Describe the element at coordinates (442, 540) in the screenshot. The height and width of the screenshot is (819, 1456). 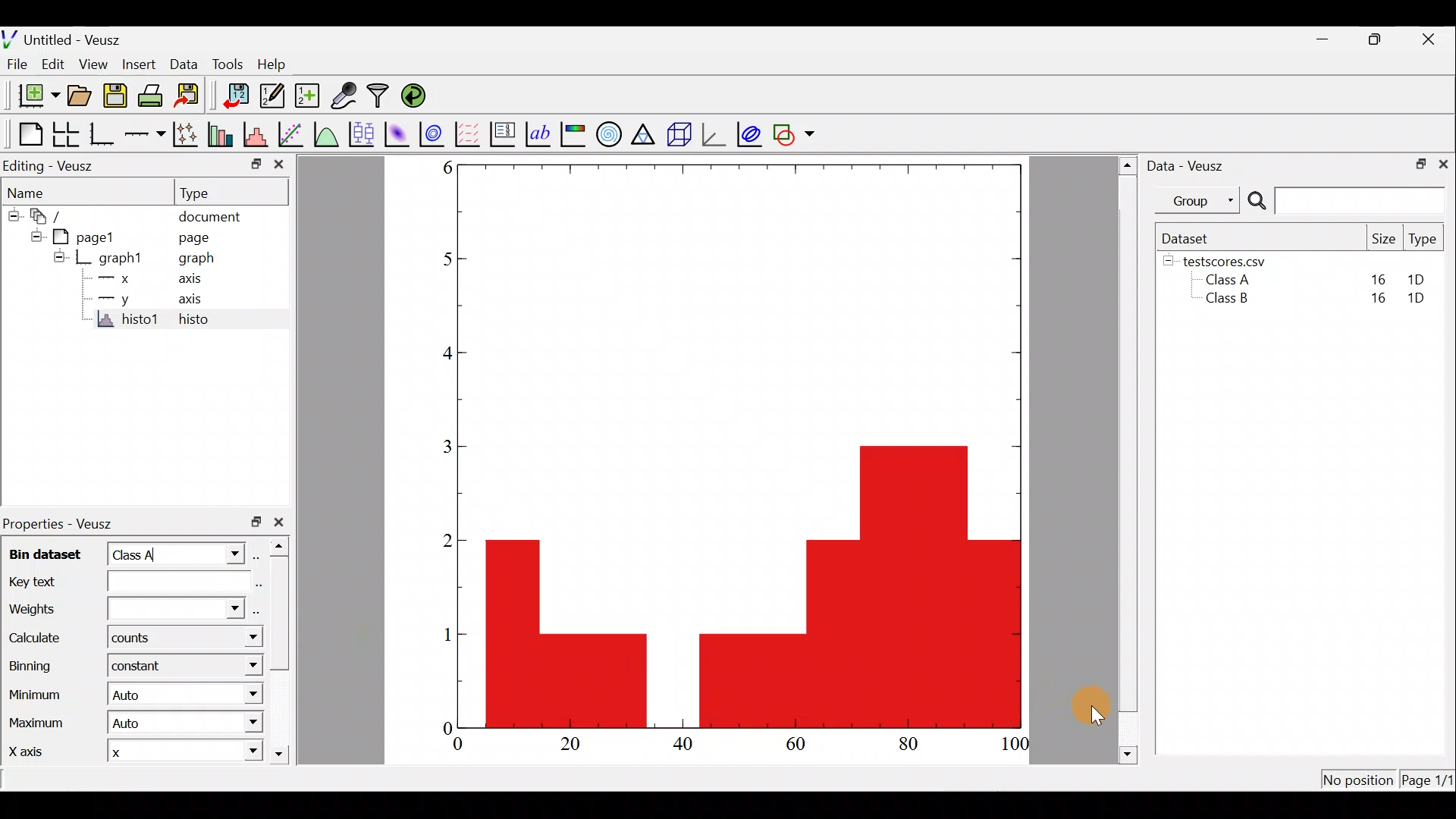
I see `2` at that location.